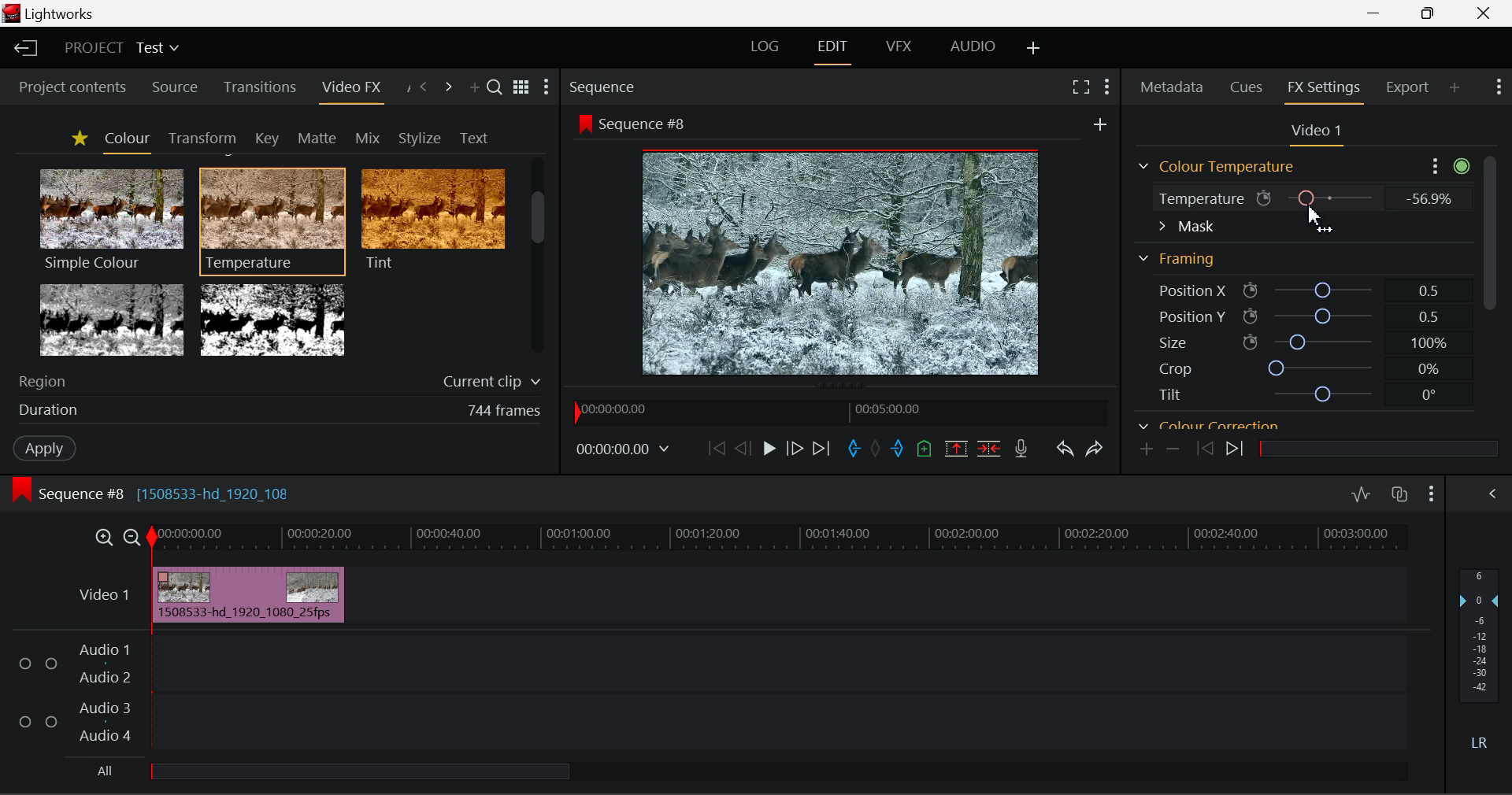  I want to click on Delte/Cut, so click(991, 449).